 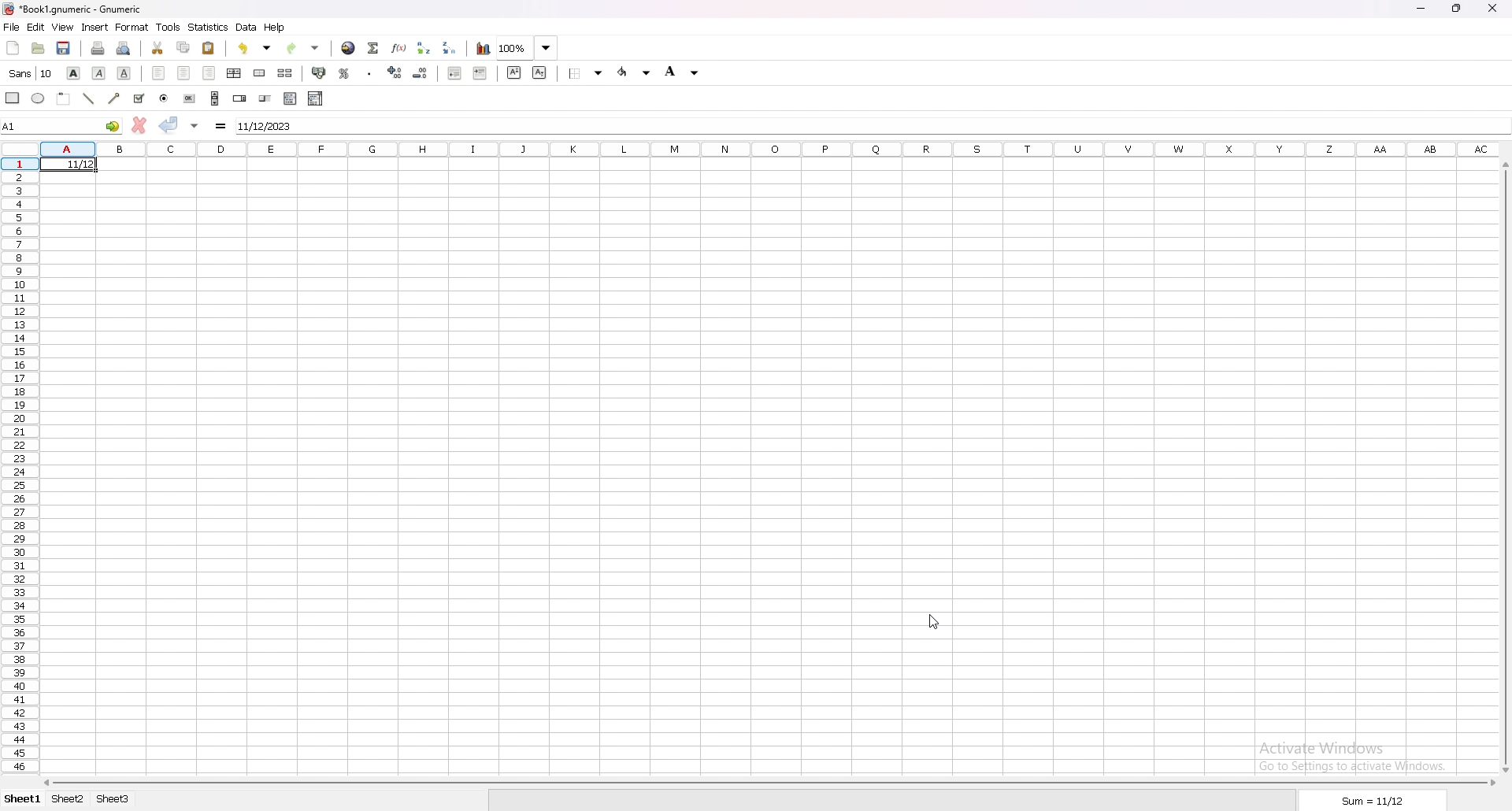 I want to click on centre horizontally, so click(x=234, y=73).